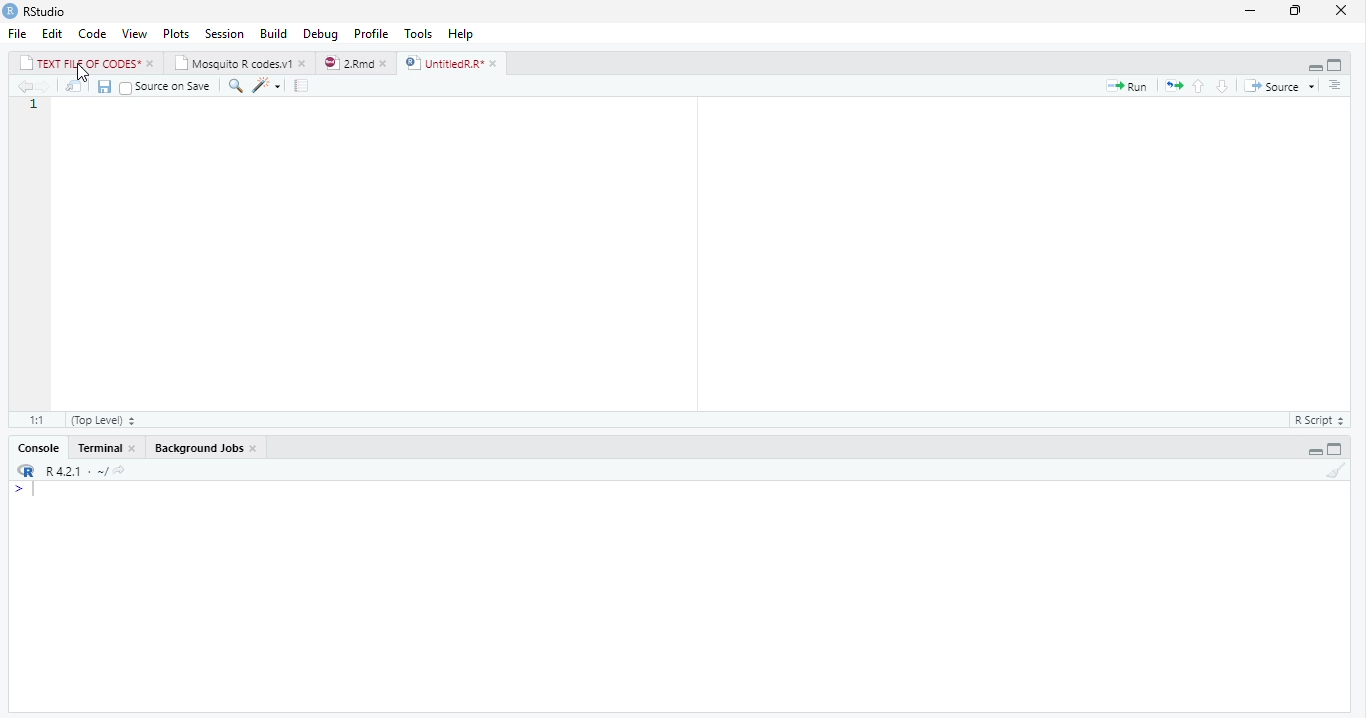 The width and height of the screenshot is (1366, 718). Describe the element at coordinates (1199, 87) in the screenshot. I see `previous section` at that location.